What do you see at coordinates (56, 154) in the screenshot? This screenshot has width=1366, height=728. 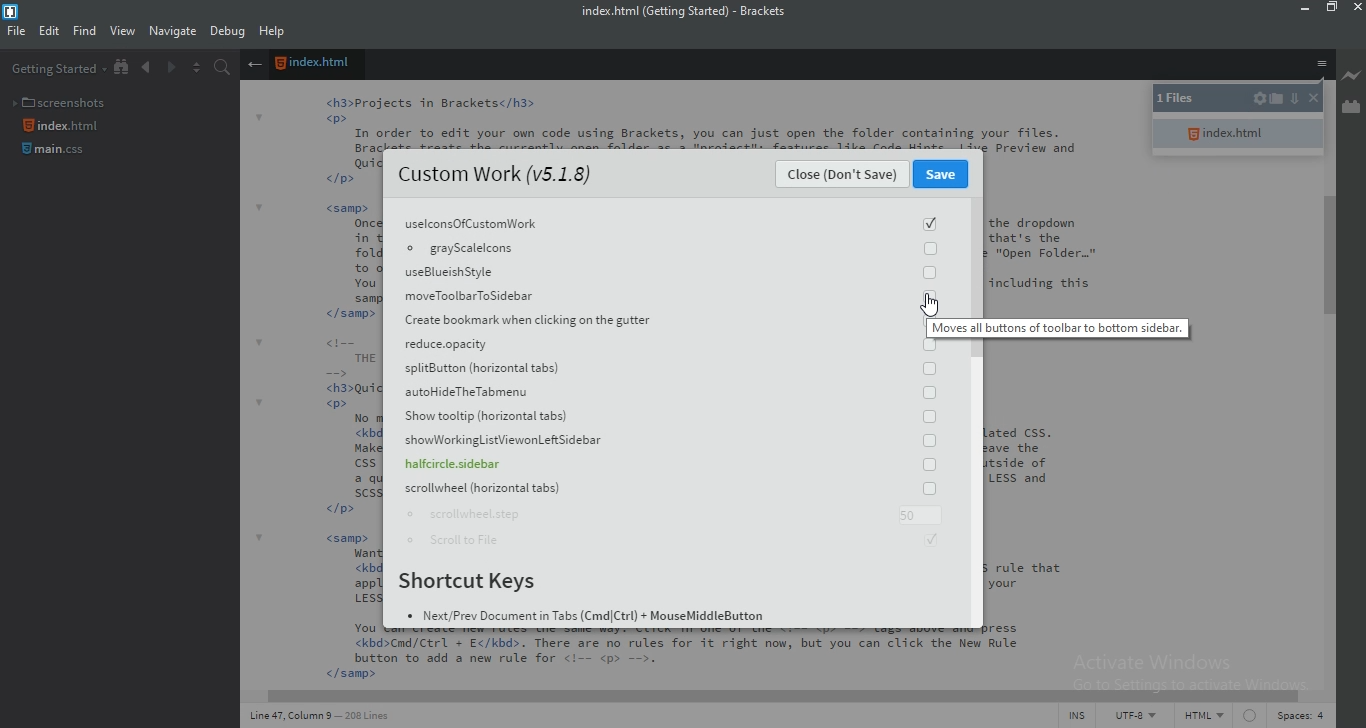 I see `main.css` at bounding box center [56, 154].